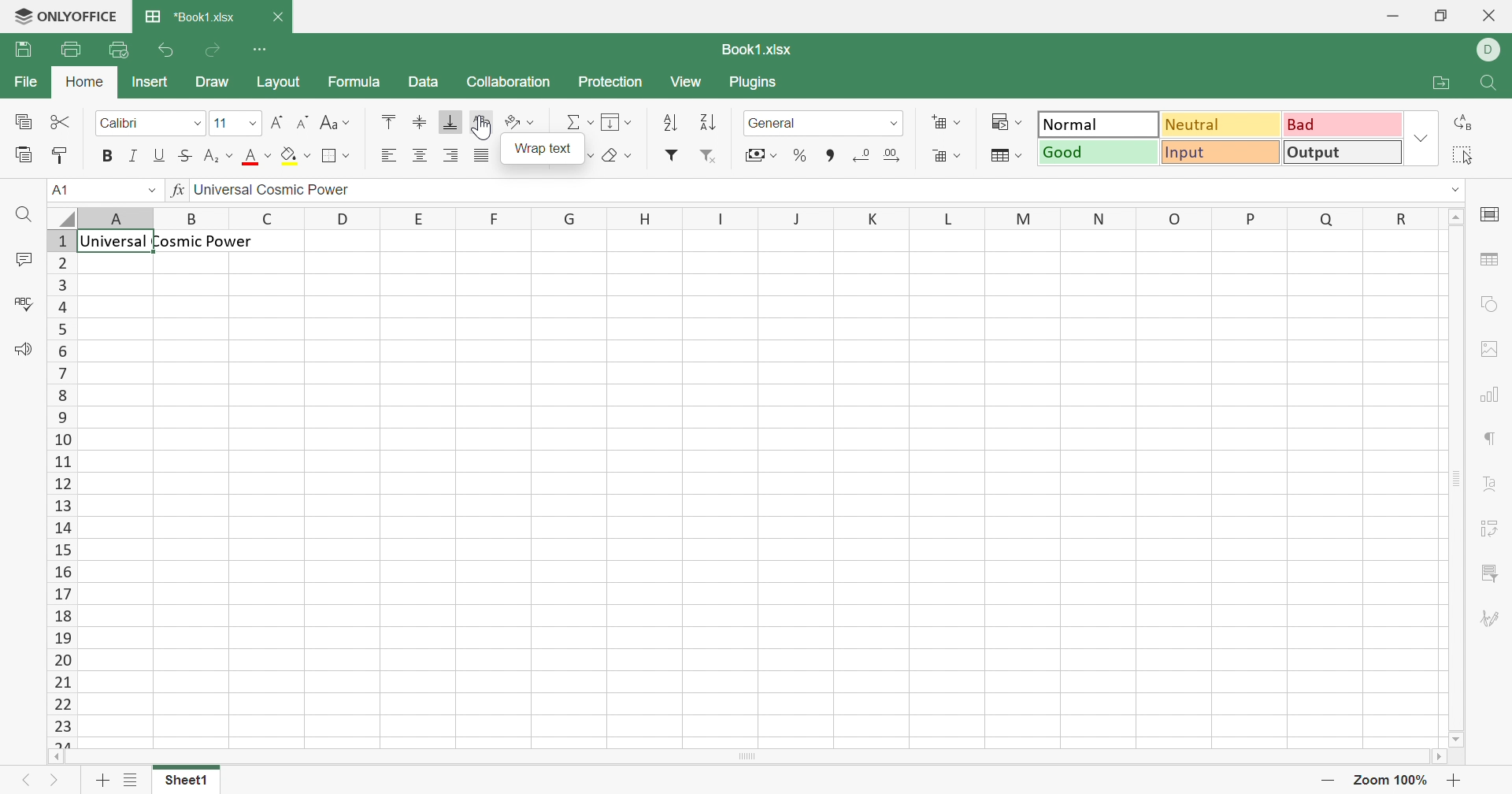  What do you see at coordinates (947, 121) in the screenshot?
I see `Insert cells` at bounding box center [947, 121].